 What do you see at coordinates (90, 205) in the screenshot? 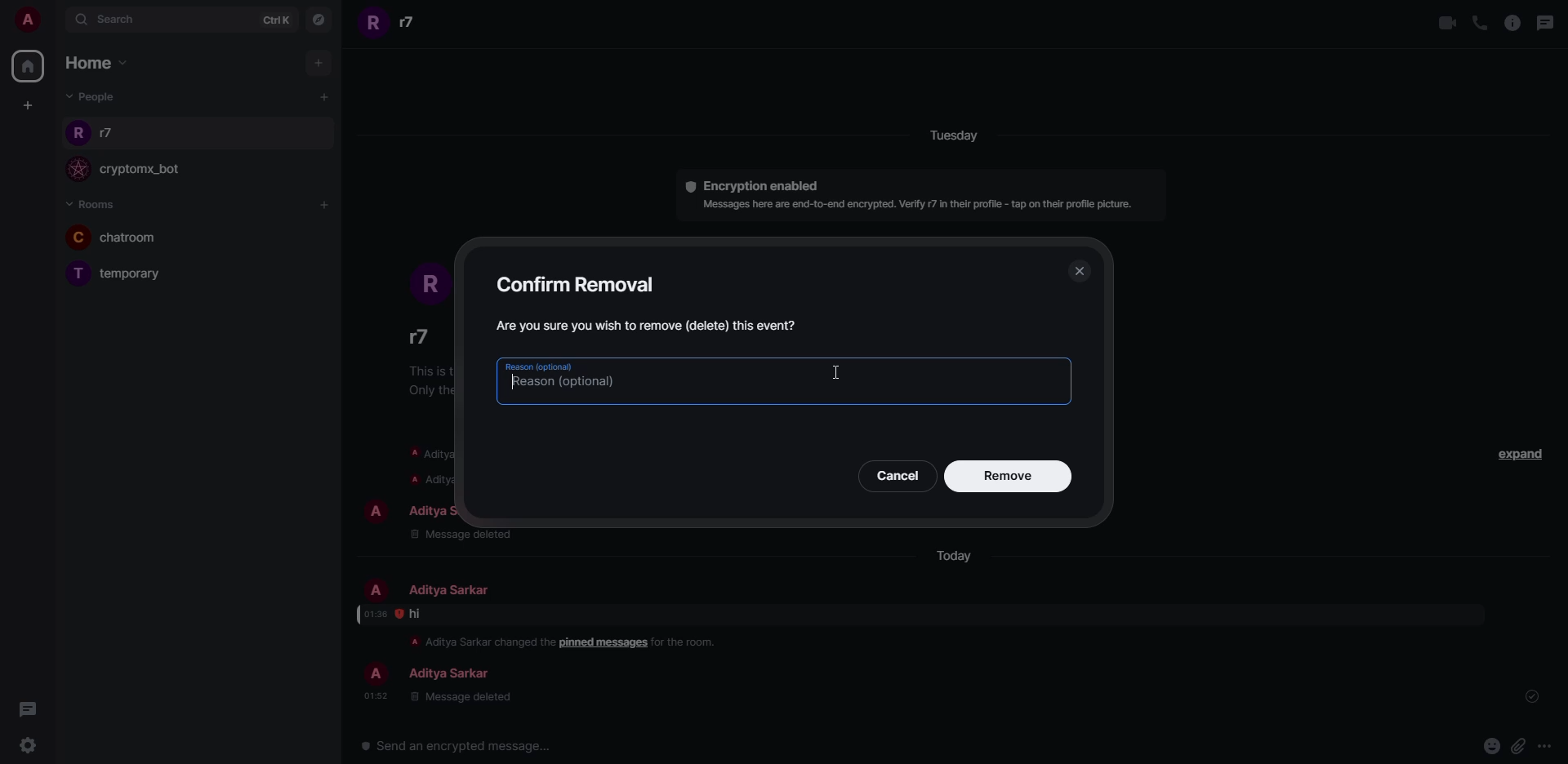
I see `rooms` at bounding box center [90, 205].